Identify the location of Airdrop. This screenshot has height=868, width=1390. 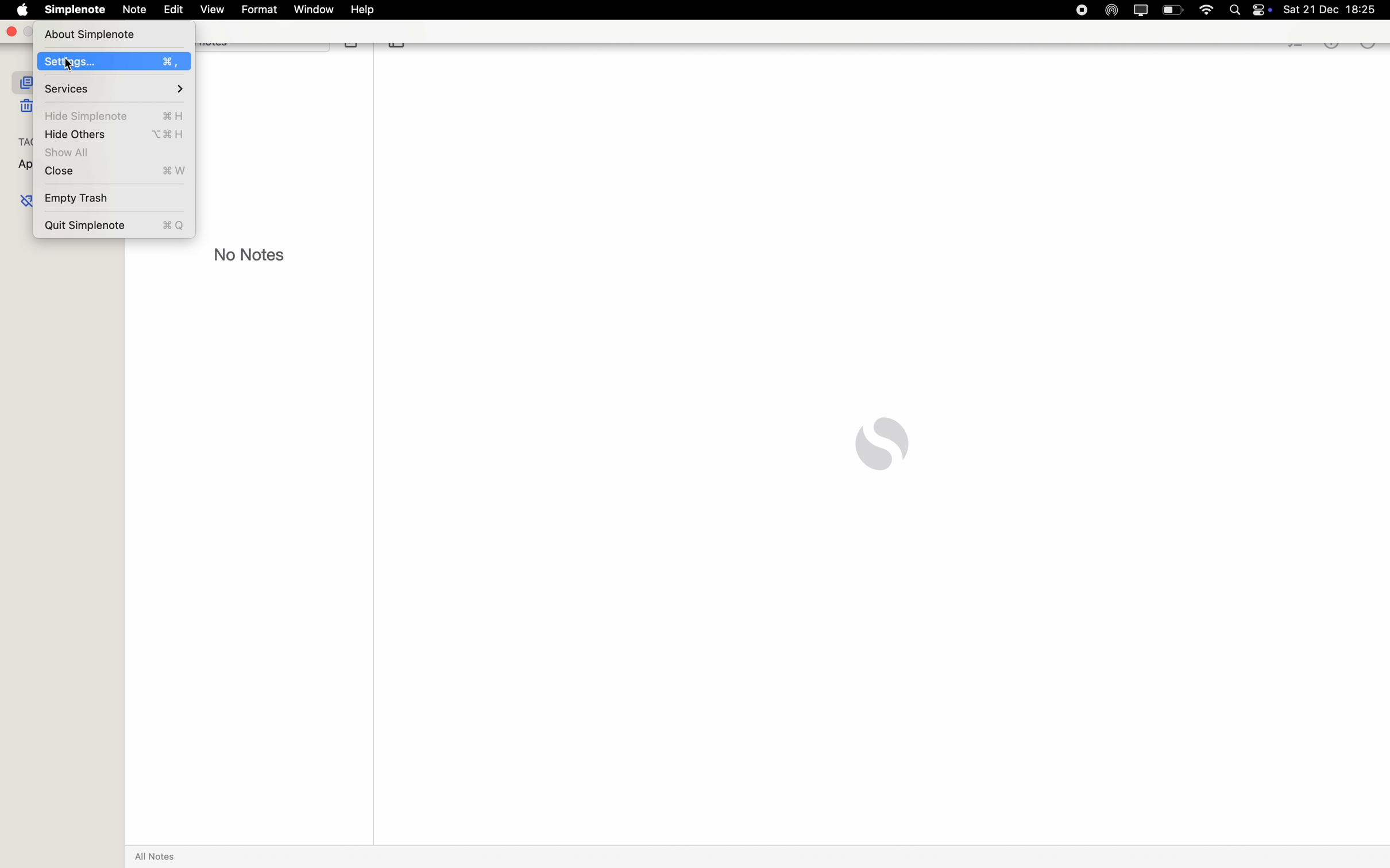
(1111, 11).